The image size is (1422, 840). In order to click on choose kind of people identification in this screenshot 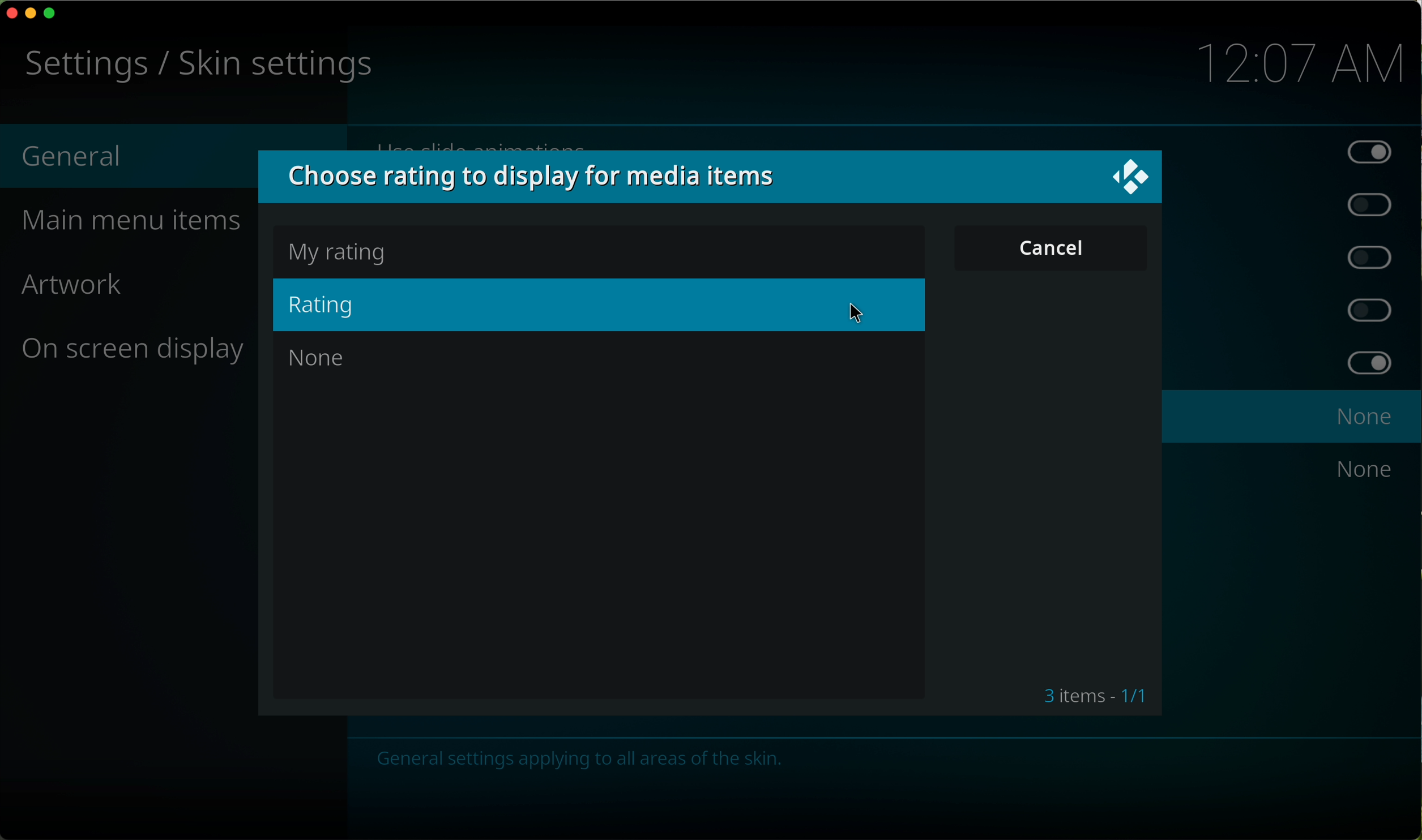, I will do `click(1292, 417)`.